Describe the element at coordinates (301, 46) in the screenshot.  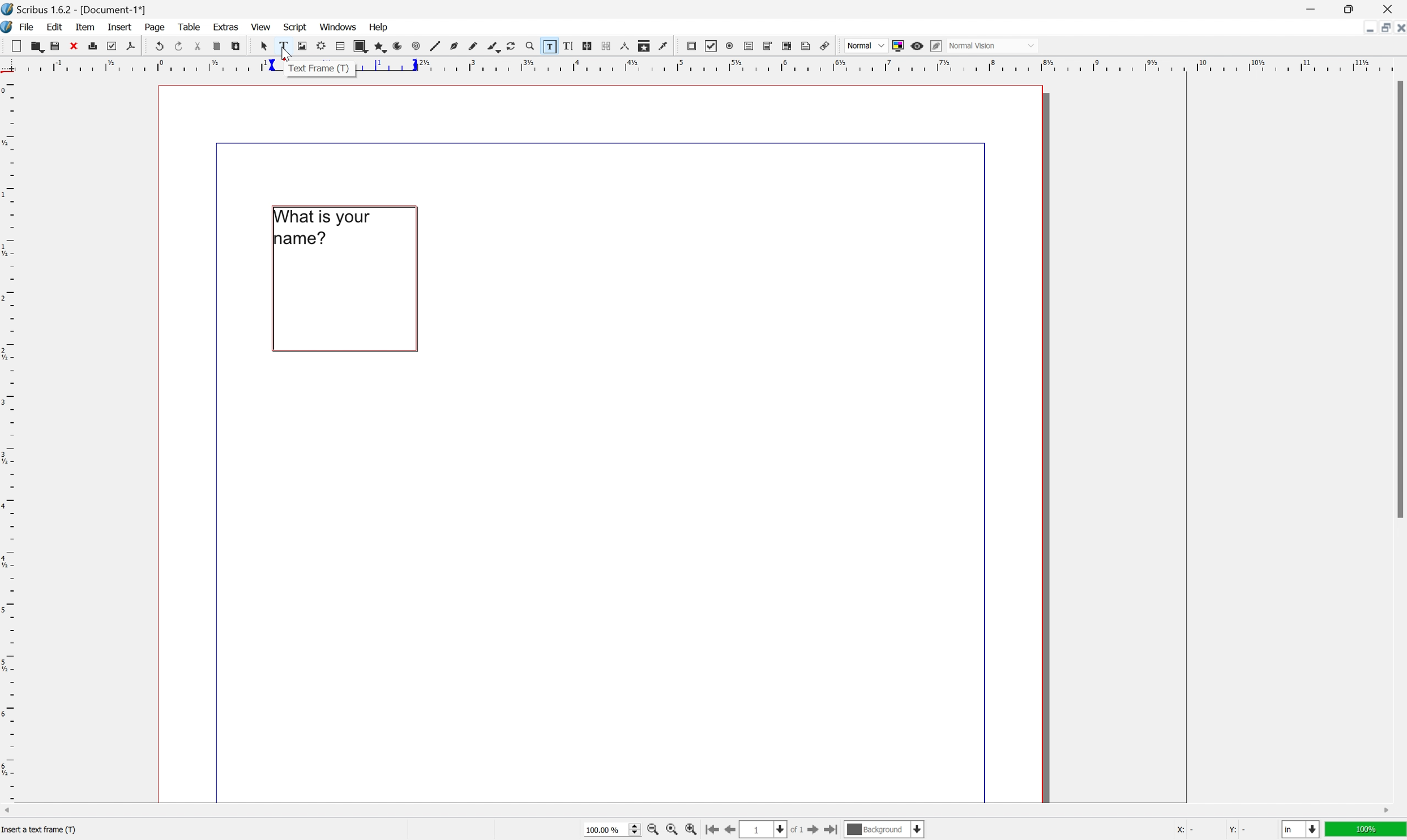
I see `image frame` at that location.